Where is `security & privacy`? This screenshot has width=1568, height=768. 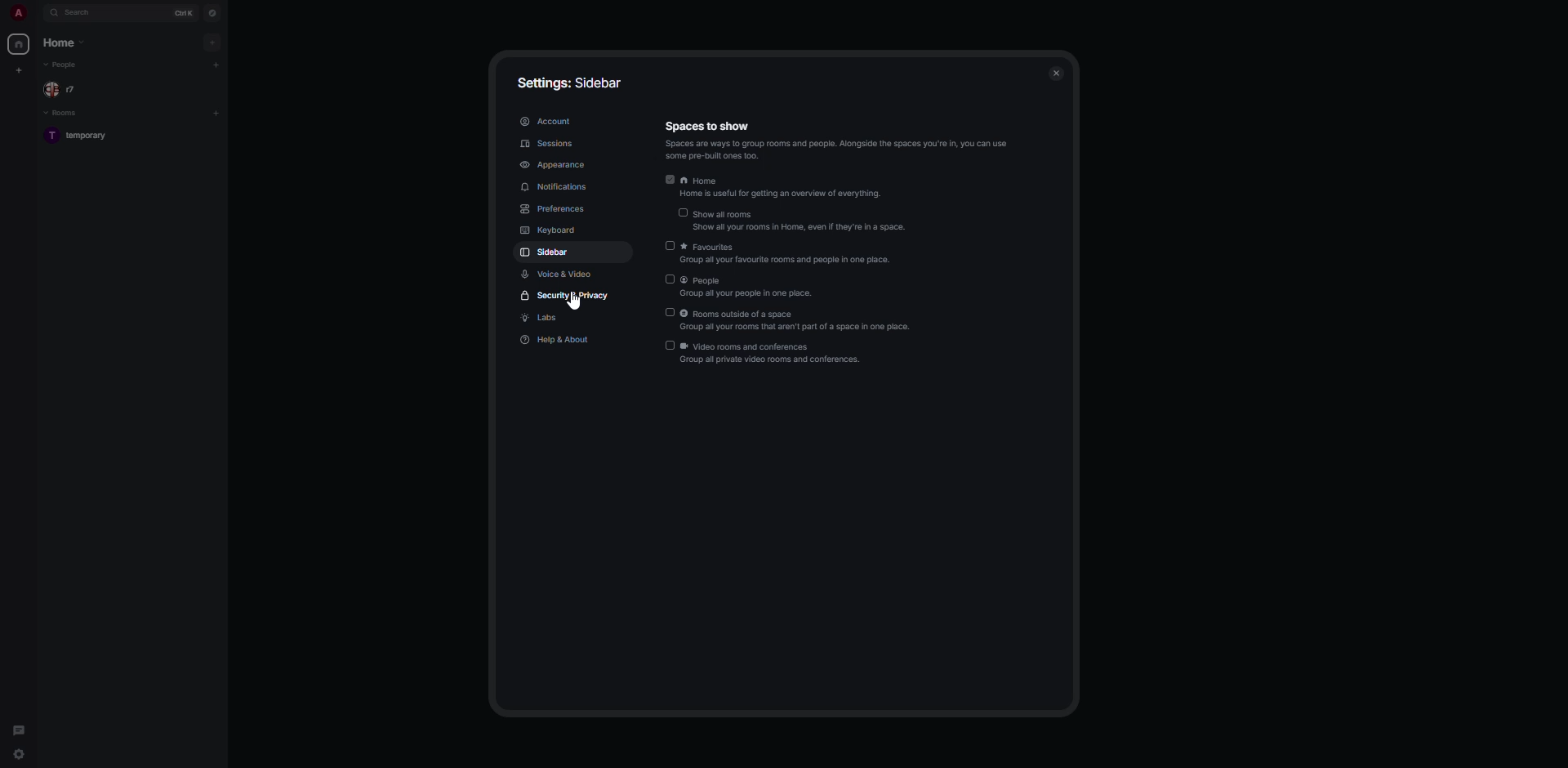 security & privacy is located at coordinates (565, 297).